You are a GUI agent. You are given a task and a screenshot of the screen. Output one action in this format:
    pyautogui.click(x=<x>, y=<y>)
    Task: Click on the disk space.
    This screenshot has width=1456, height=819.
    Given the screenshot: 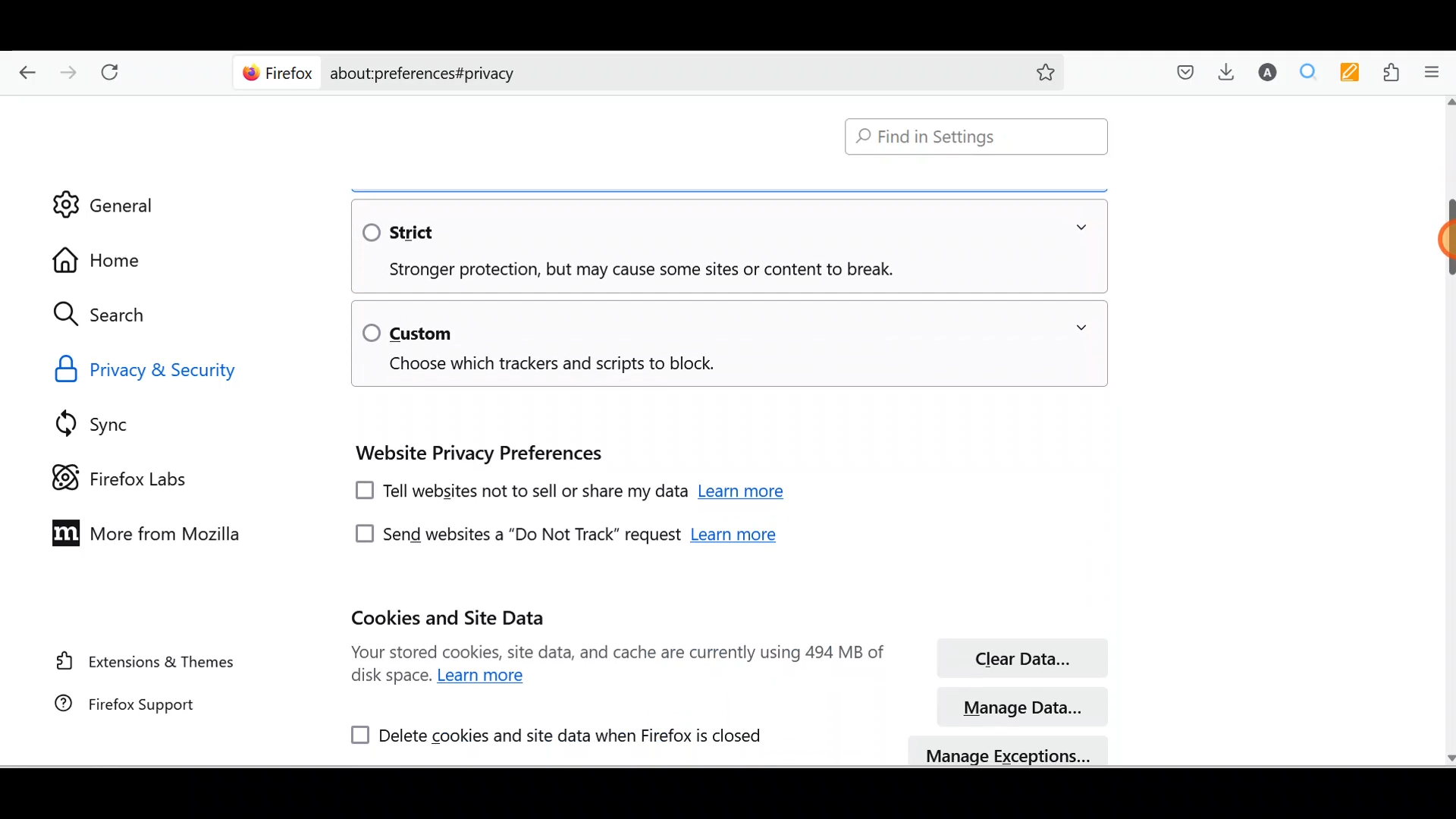 What is the action you would take?
    pyautogui.click(x=391, y=677)
    